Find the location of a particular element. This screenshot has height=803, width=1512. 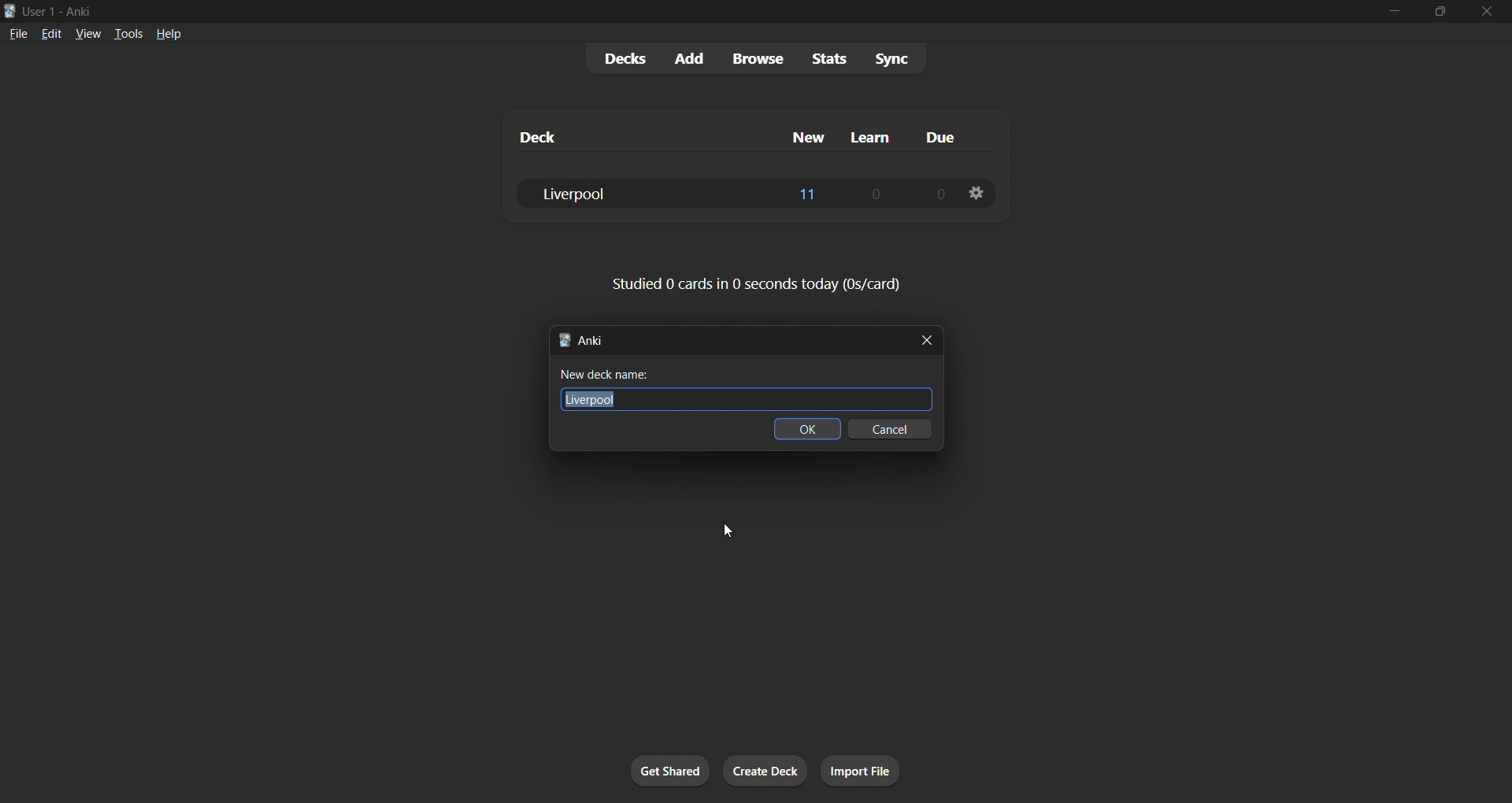

cursor is located at coordinates (731, 534).